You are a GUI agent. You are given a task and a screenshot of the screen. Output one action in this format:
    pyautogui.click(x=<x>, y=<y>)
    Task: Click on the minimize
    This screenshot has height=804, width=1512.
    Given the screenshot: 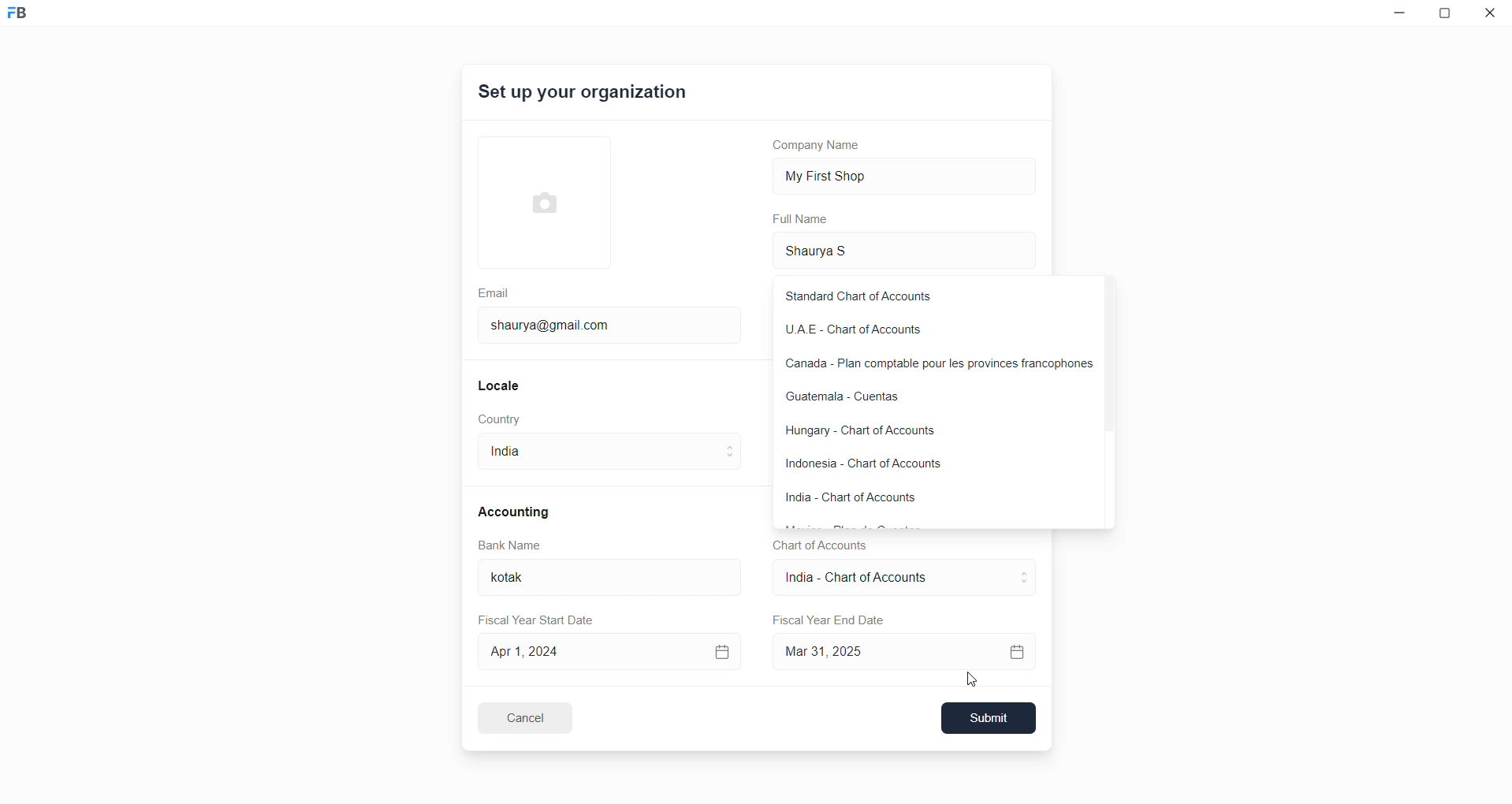 What is the action you would take?
    pyautogui.click(x=1396, y=17)
    